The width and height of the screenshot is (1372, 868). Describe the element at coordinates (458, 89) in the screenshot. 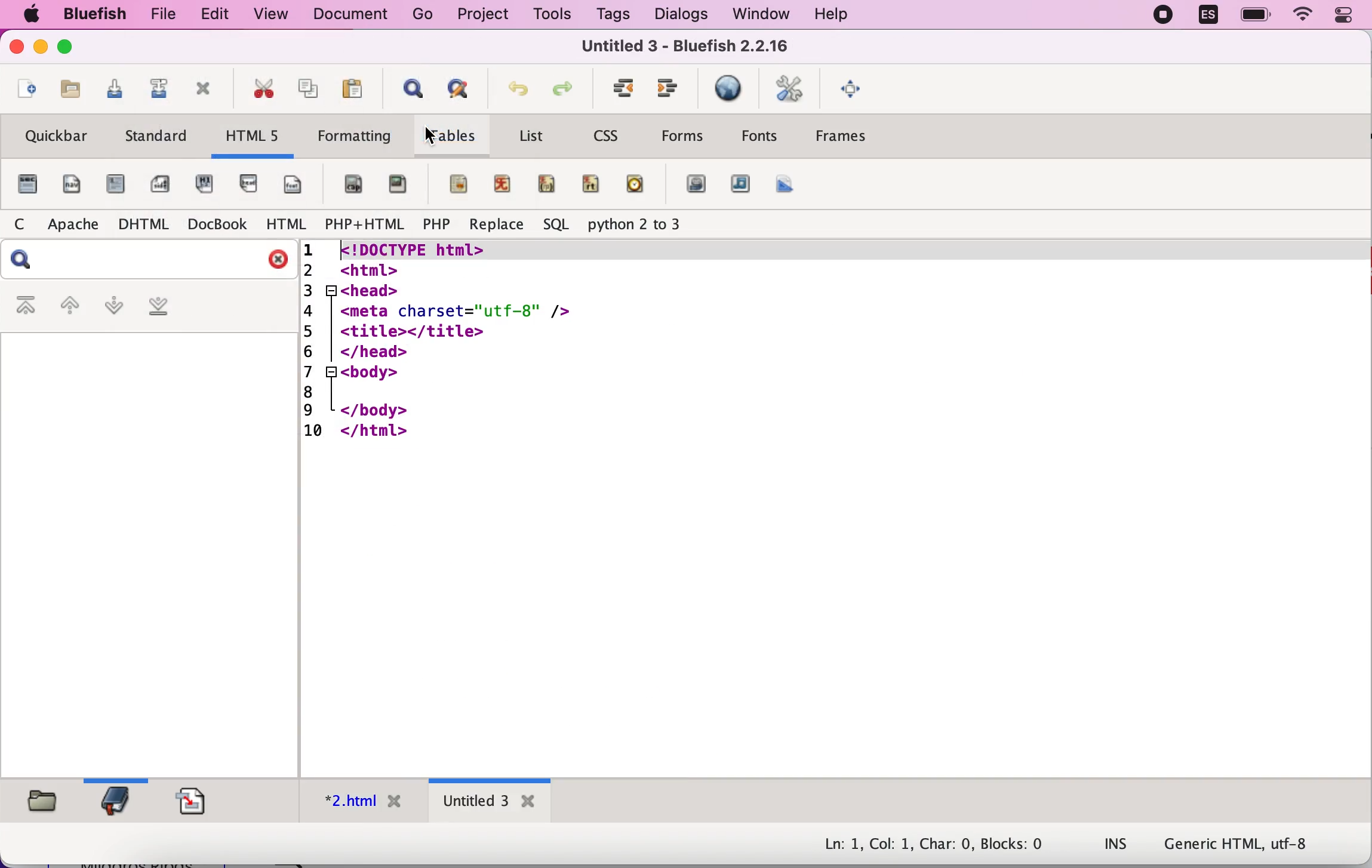

I see `advanced find and replace` at that location.